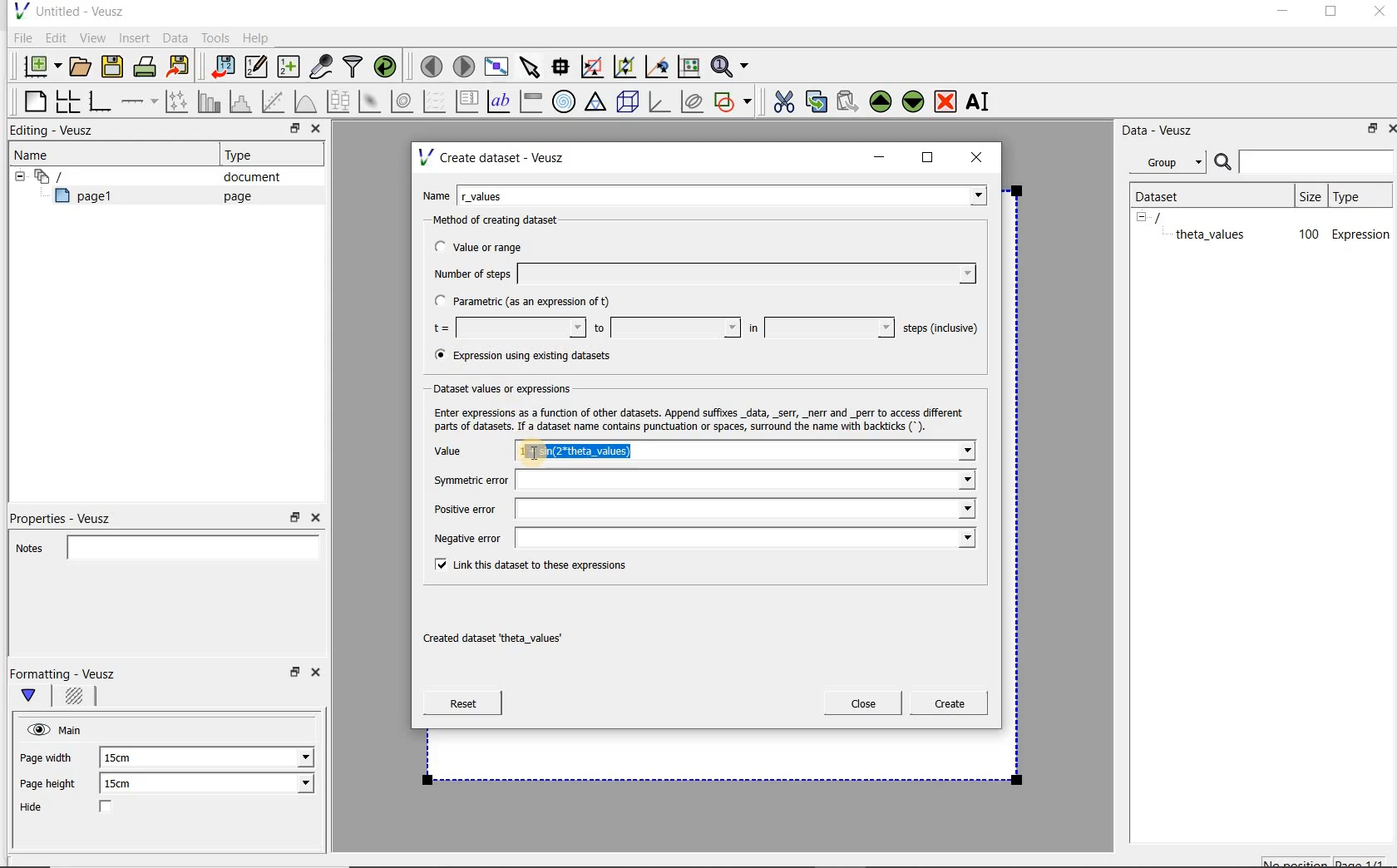 This screenshot has width=1397, height=868. Describe the element at coordinates (78, 176) in the screenshot. I see `Document widget` at that location.